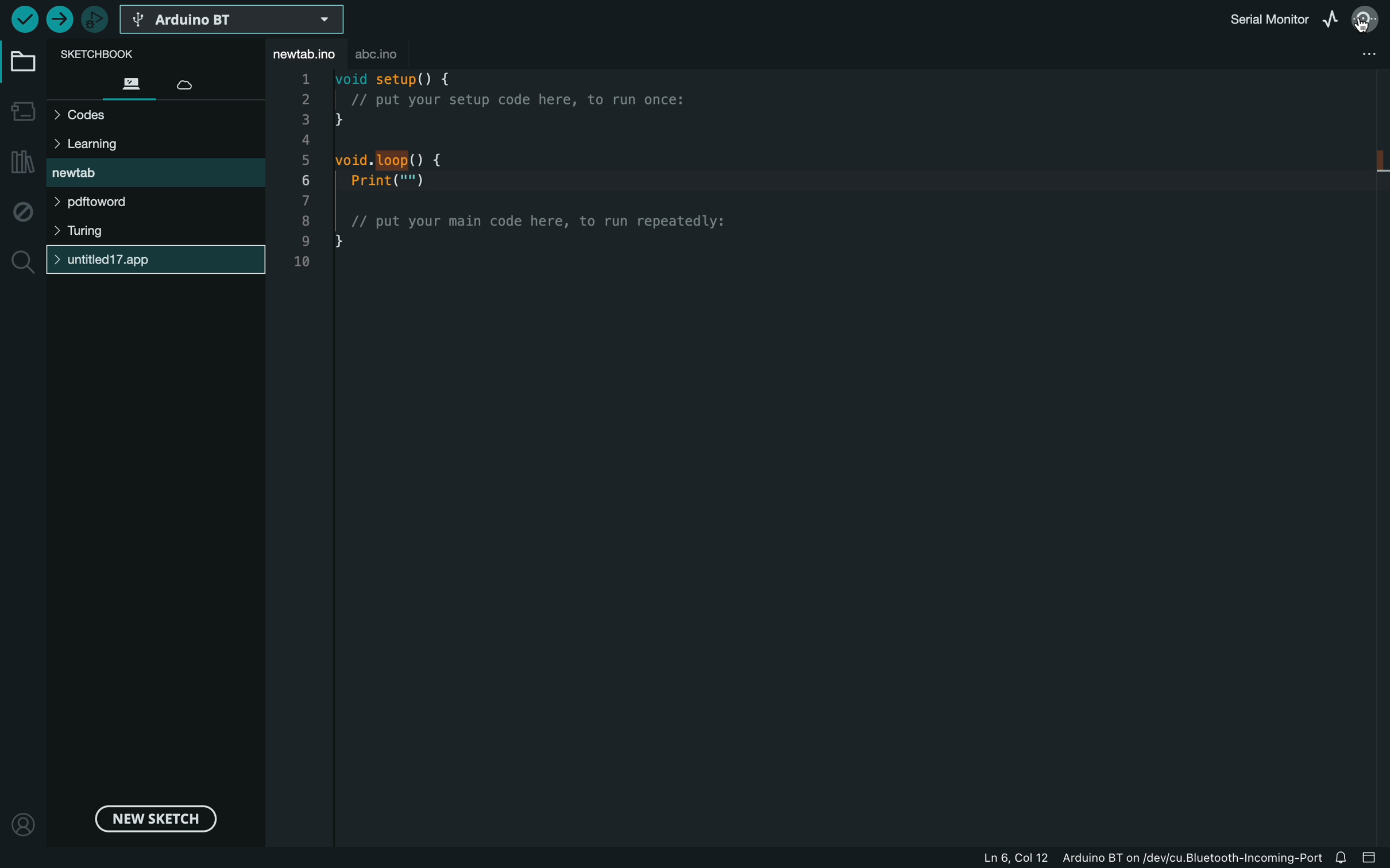 The height and width of the screenshot is (868, 1390). Describe the element at coordinates (1329, 59) in the screenshot. I see `file setting` at that location.